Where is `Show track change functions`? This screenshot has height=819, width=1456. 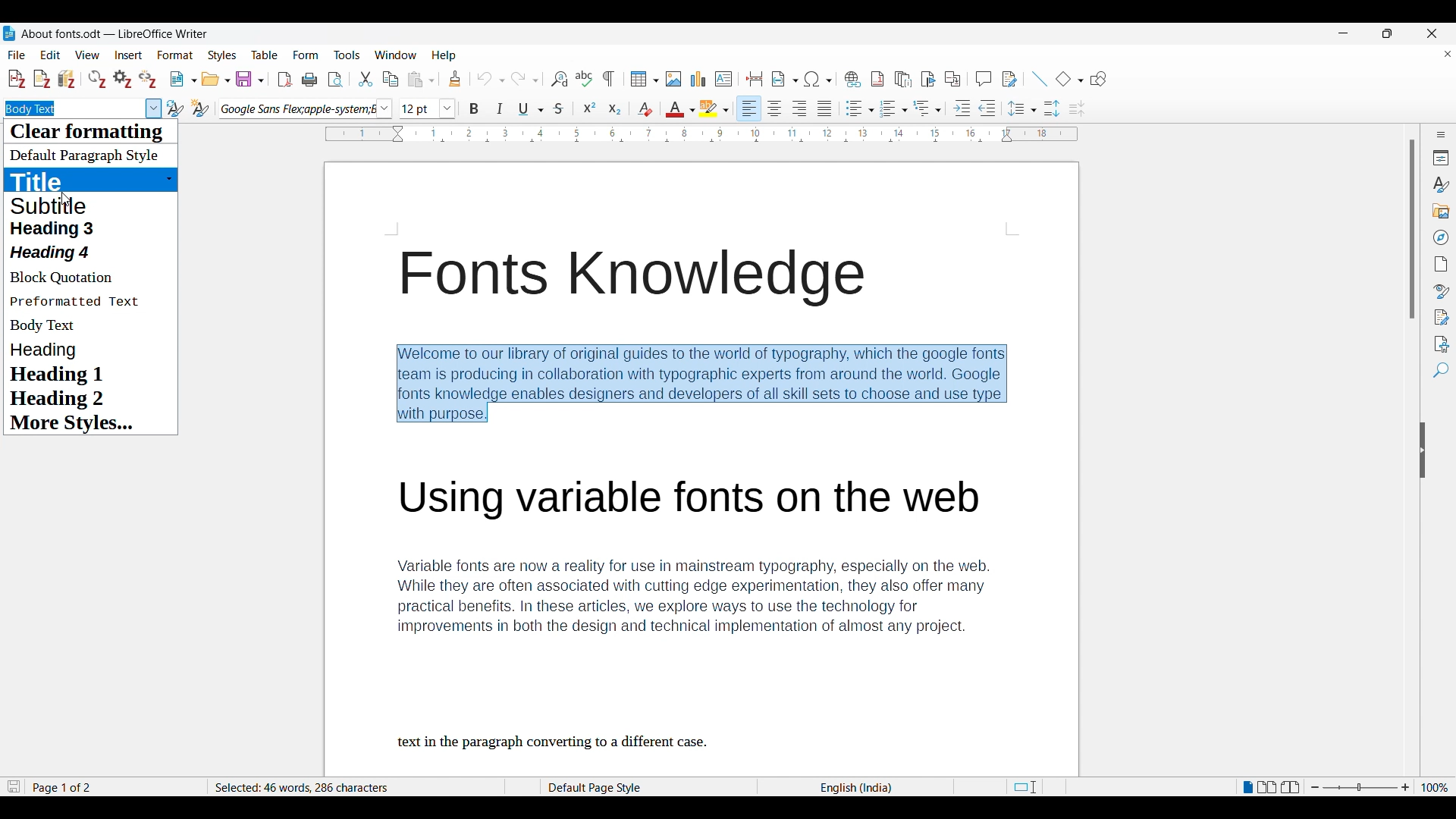
Show track change functions is located at coordinates (1010, 80).